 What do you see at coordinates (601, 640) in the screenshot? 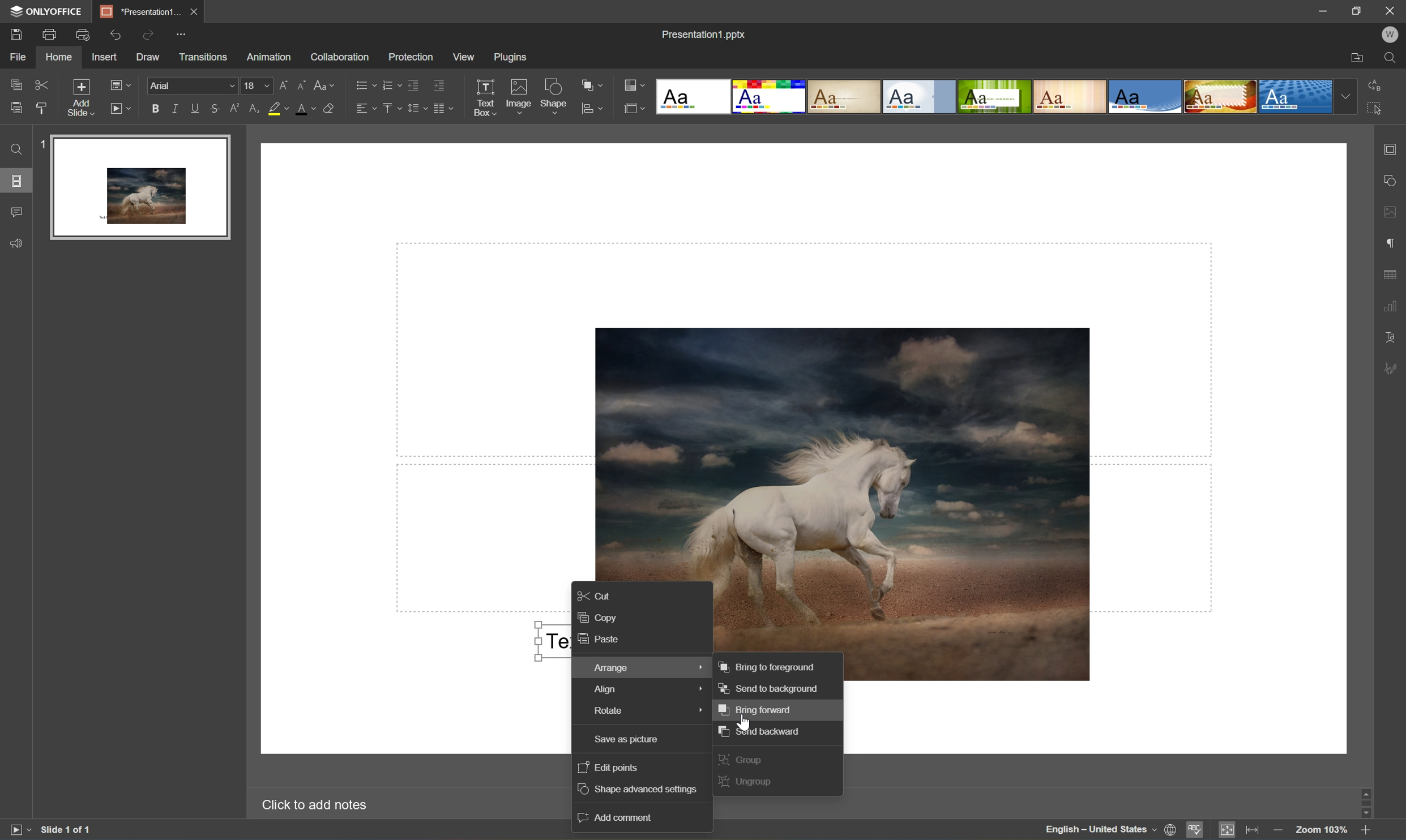
I see `Paste` at bounding box center [601, 640].